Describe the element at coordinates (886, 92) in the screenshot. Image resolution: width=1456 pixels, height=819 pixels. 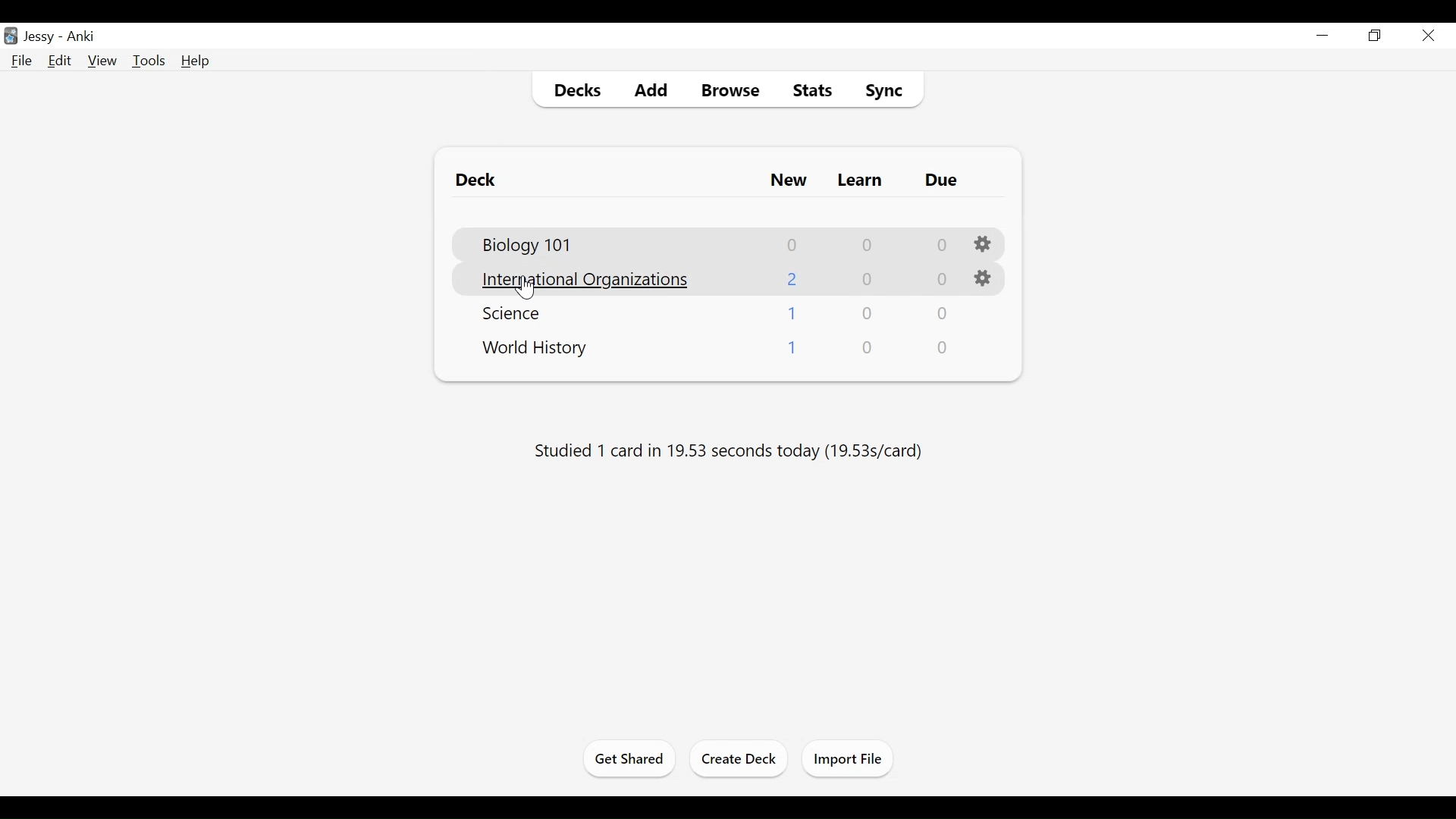
I see `Sync` at that location.